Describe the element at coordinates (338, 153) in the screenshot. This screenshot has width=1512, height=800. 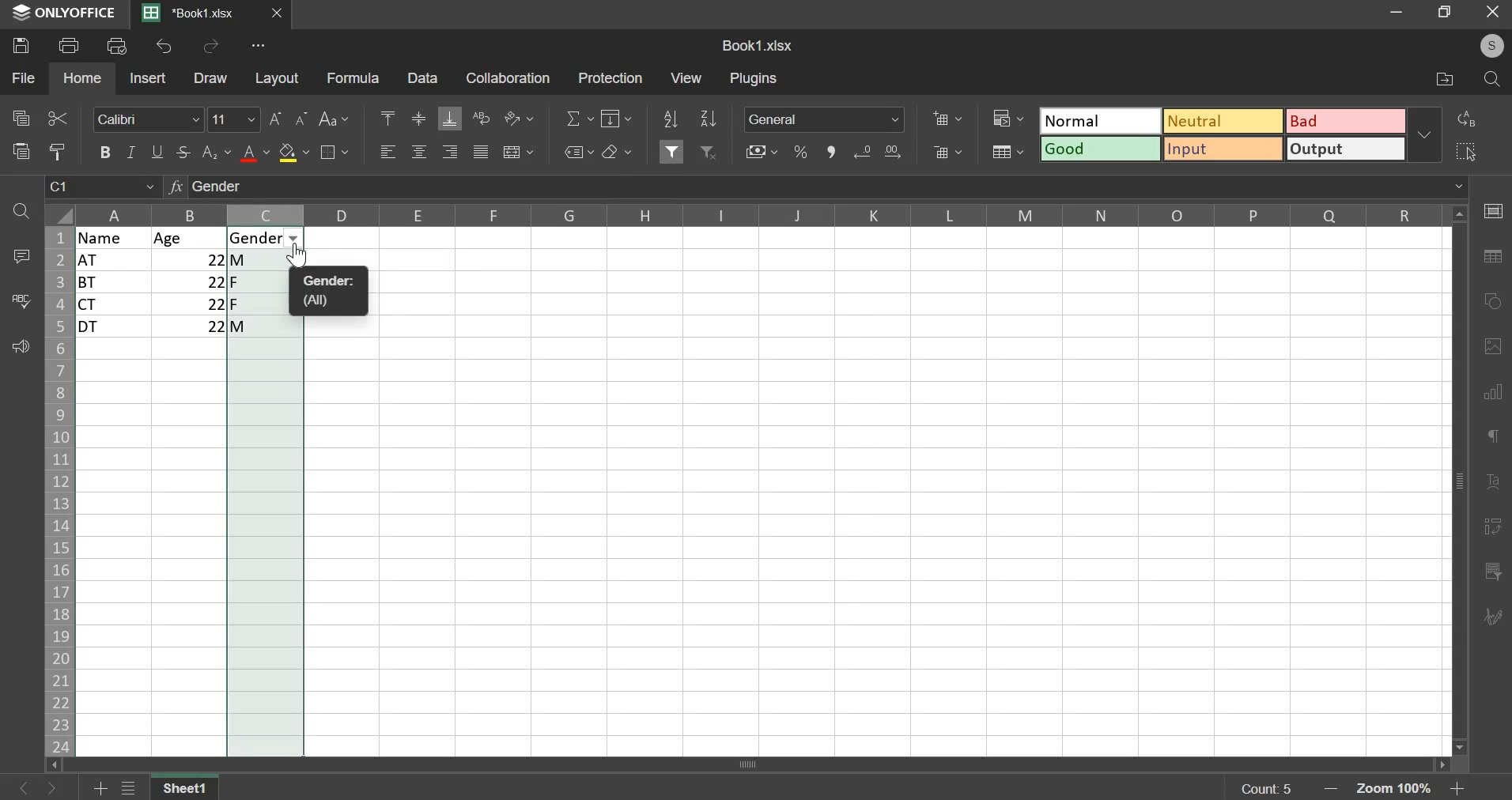
I see `border` at that location.